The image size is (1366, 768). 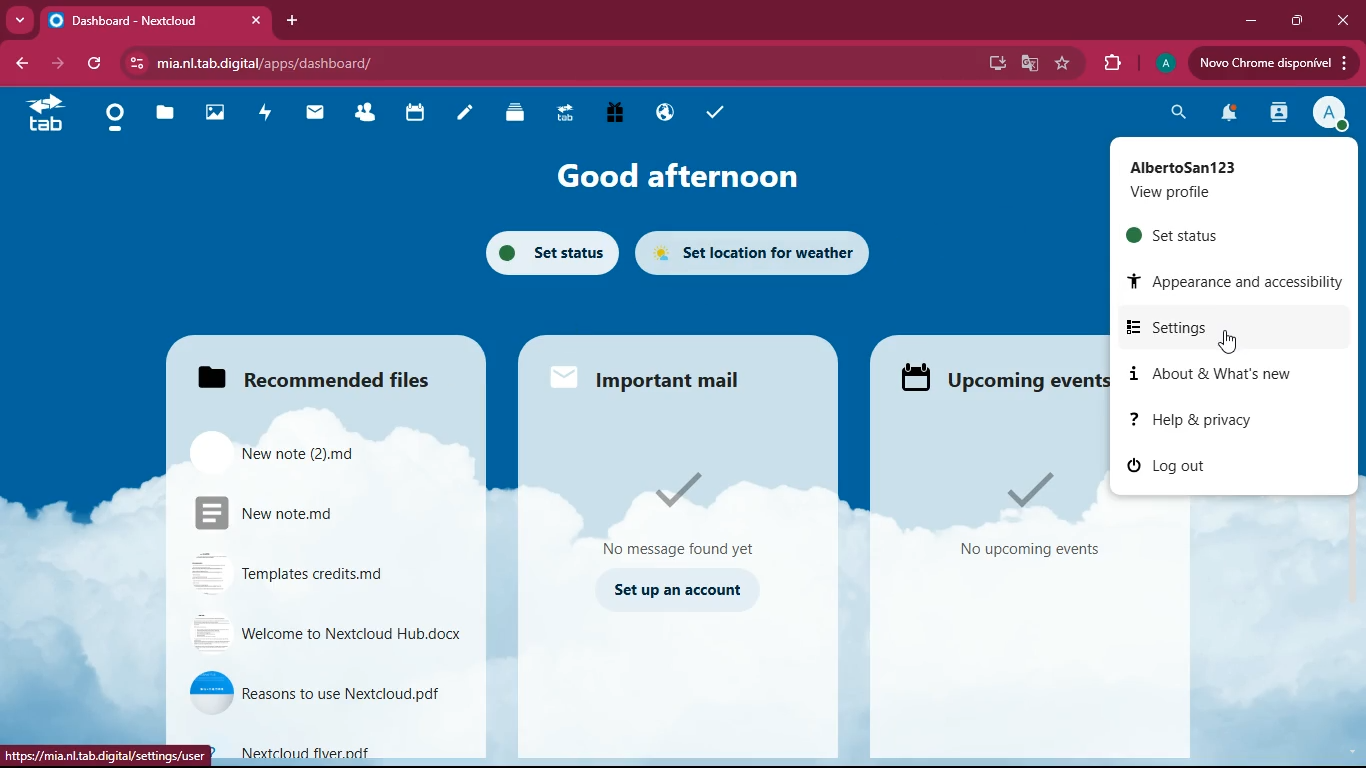 What do you see at coordinates (657, 382) in the screenshot?
I see `mail` at bounding box center [657, 382].